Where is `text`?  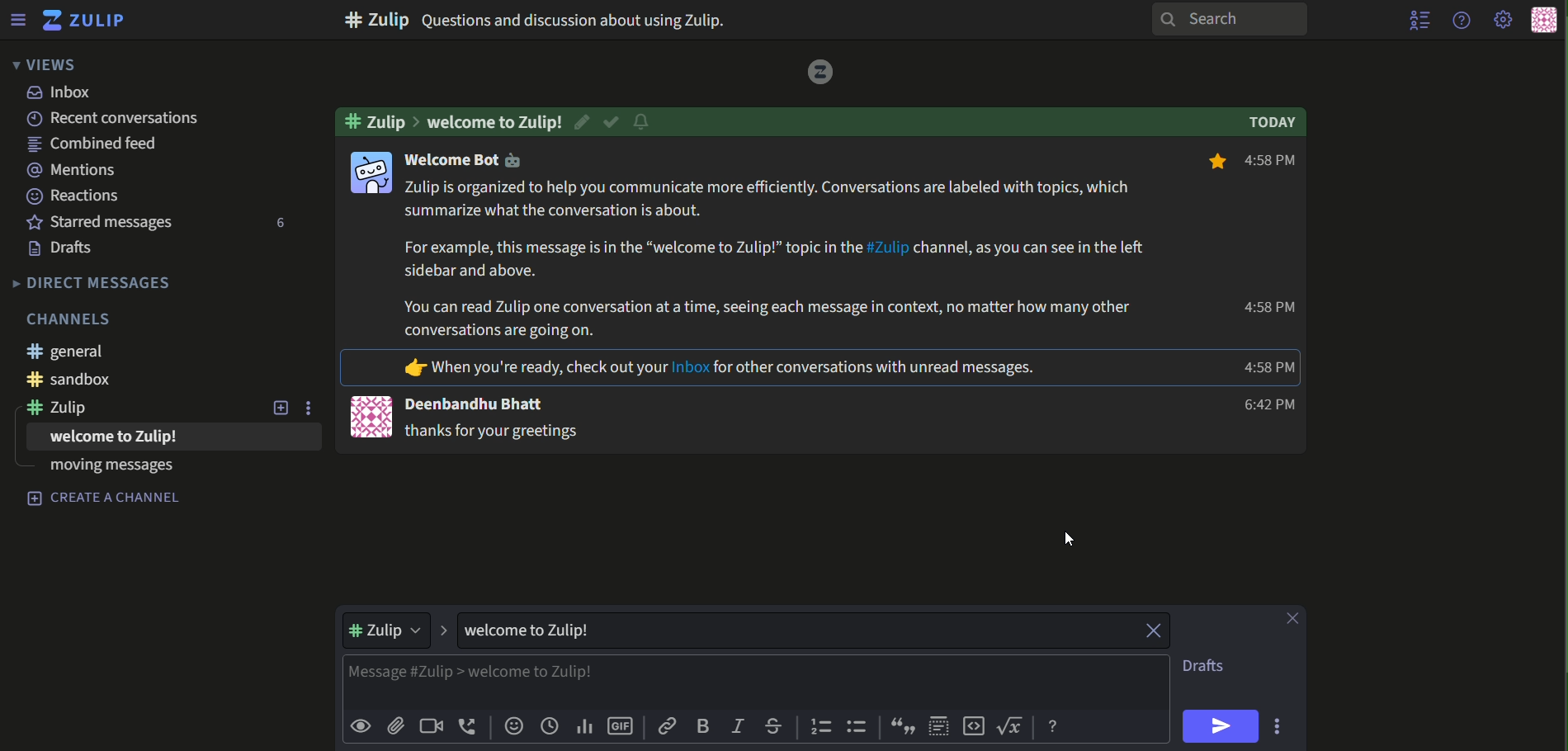 text is located at coordinates (543, 19).